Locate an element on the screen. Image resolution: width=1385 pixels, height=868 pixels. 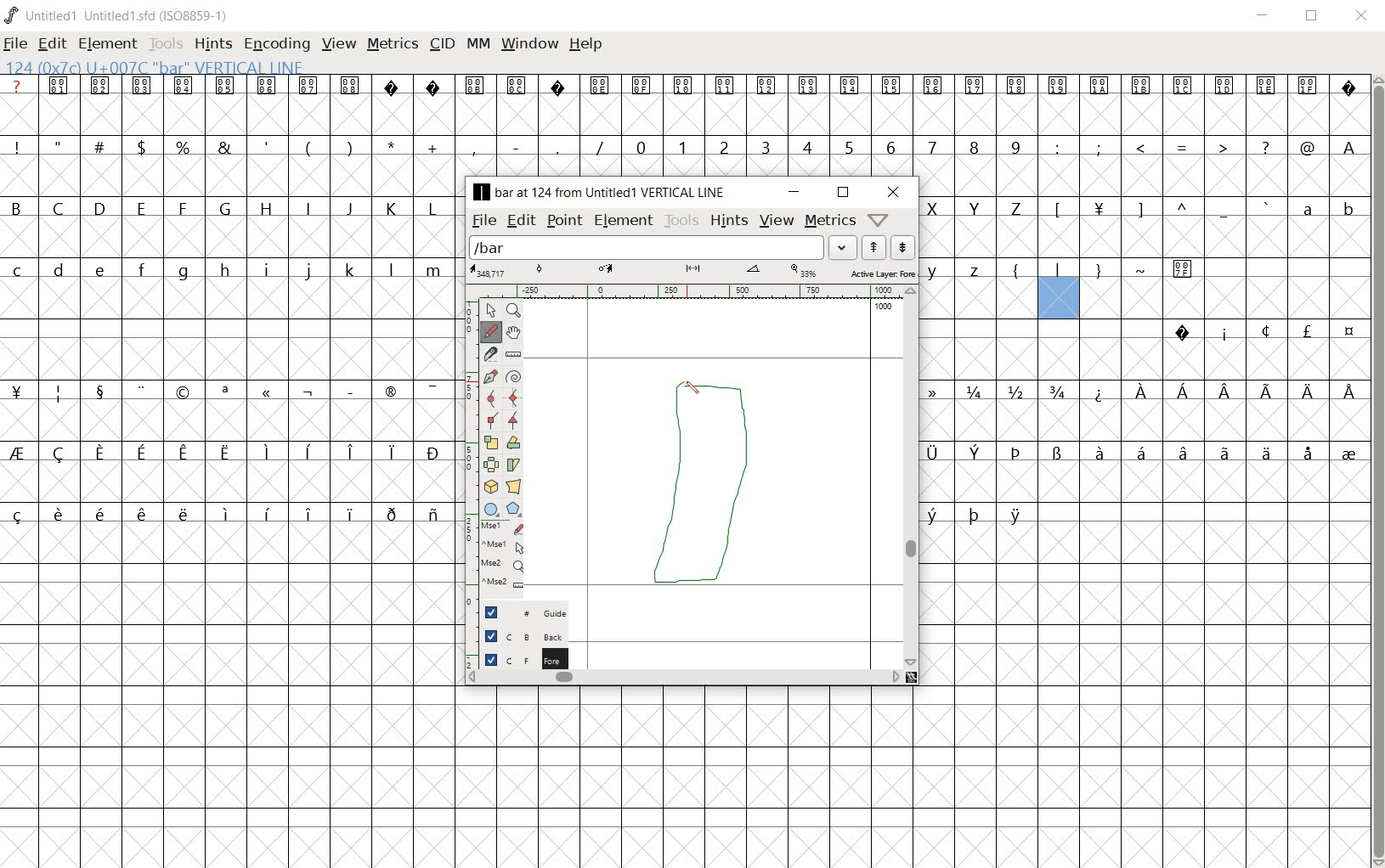
close is located at coordinates (1363, 17).